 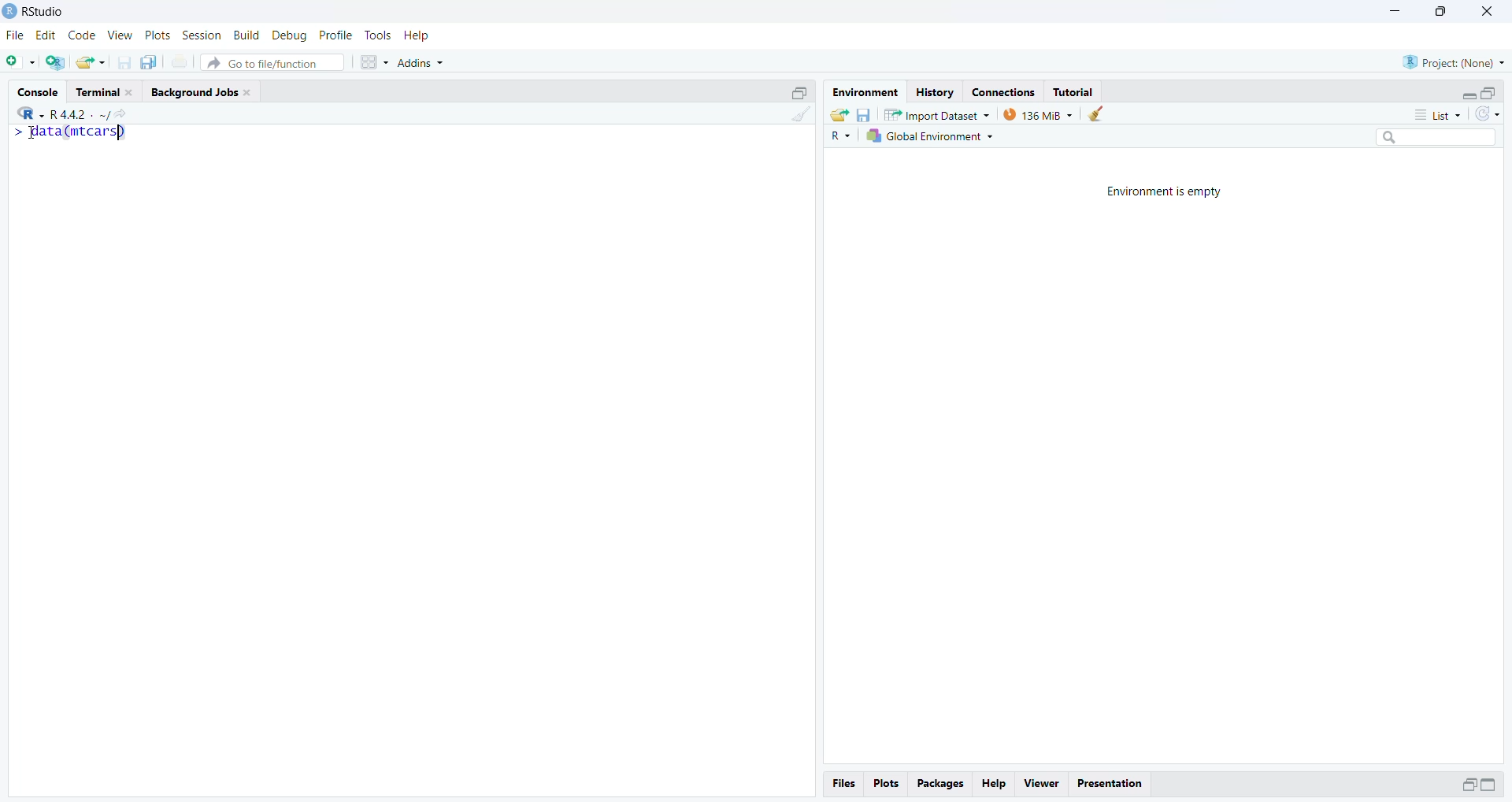 What do you see at coordinates (1489, 91) in the screenshot?
I see `Maximize` at bounding box center [1489, 91].